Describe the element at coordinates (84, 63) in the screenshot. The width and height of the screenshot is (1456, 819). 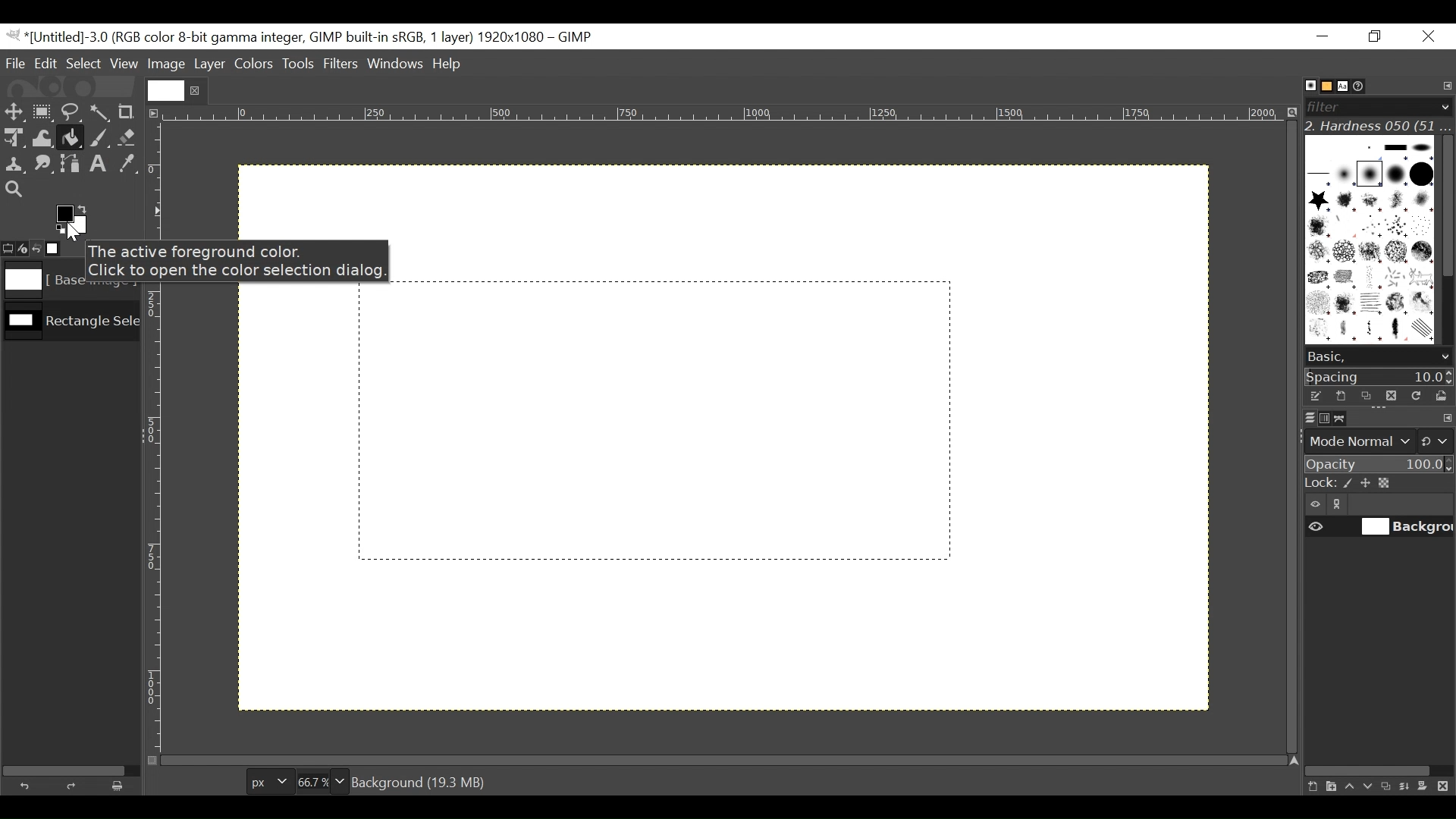
I see `Select` at that location.